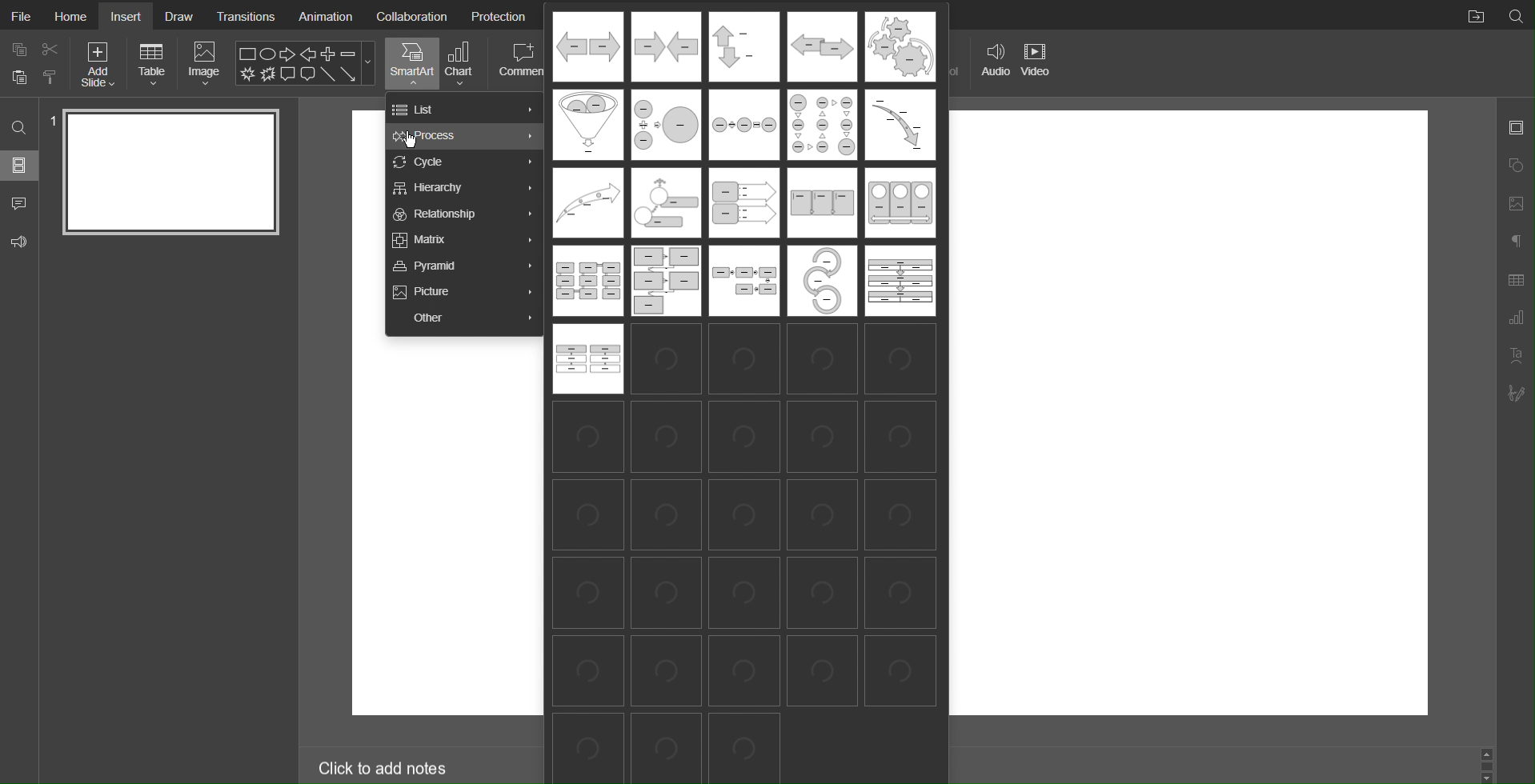  Describe the element at coordinates (412, 15) in the screenshot. I see `Collaboration` at that location.